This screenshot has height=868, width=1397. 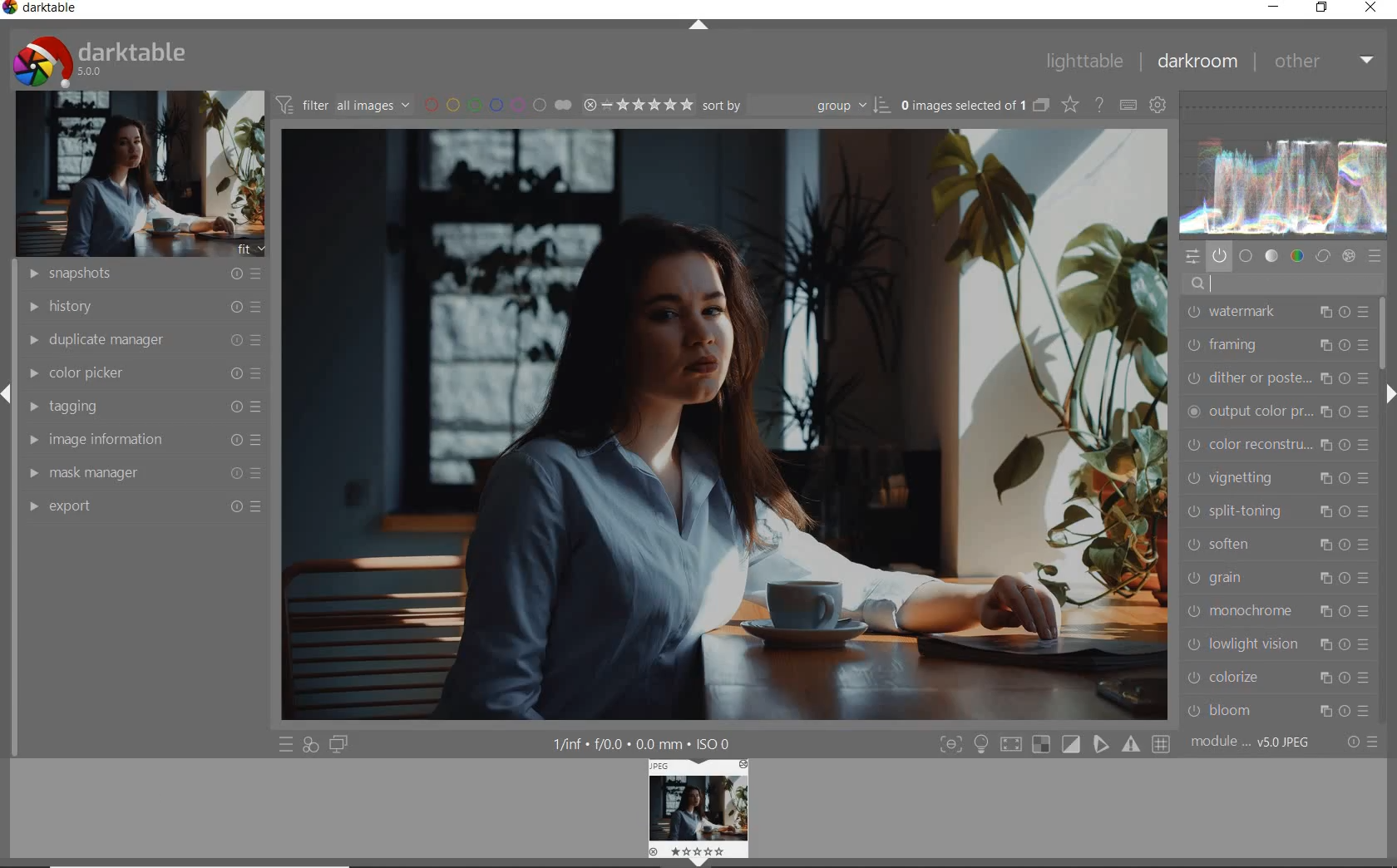 What do you see at coordinates (1350, 256) in the screenshot?
I see `effect` at bounding box center [1350, 256].